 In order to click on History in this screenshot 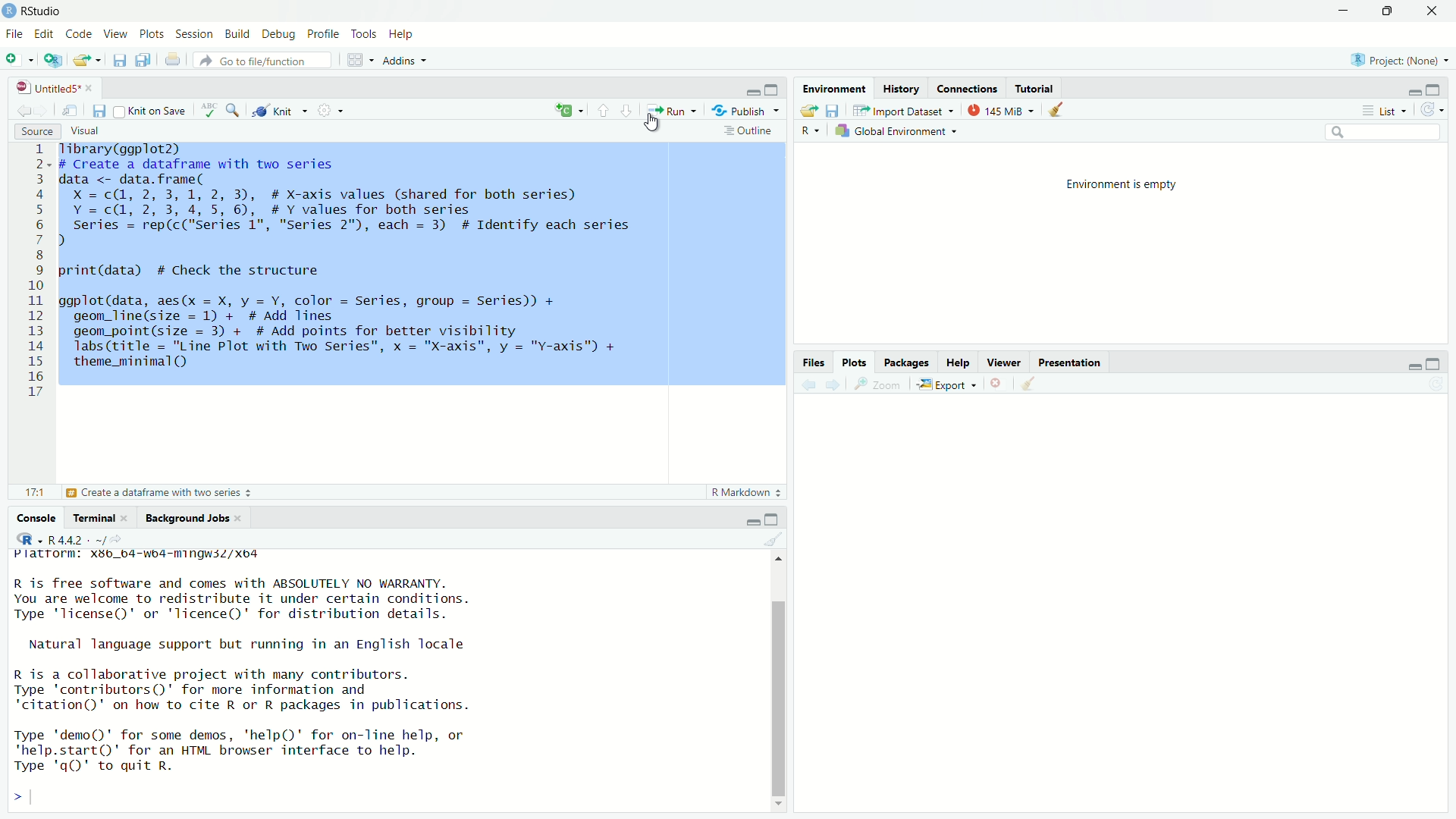, I will do `click(900, 89)`.